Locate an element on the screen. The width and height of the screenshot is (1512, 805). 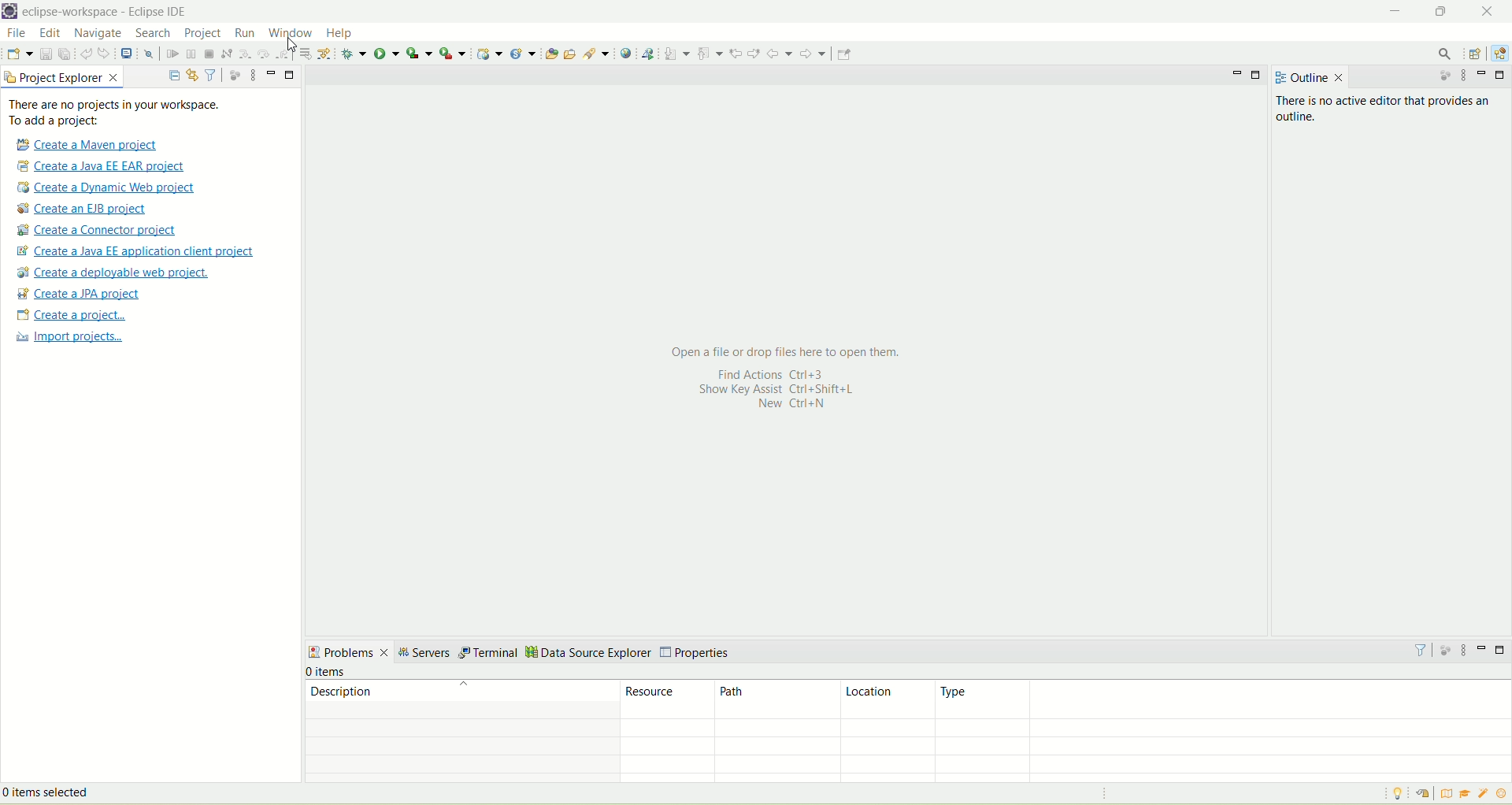
open perspective is located at coordinates (1477, 53).